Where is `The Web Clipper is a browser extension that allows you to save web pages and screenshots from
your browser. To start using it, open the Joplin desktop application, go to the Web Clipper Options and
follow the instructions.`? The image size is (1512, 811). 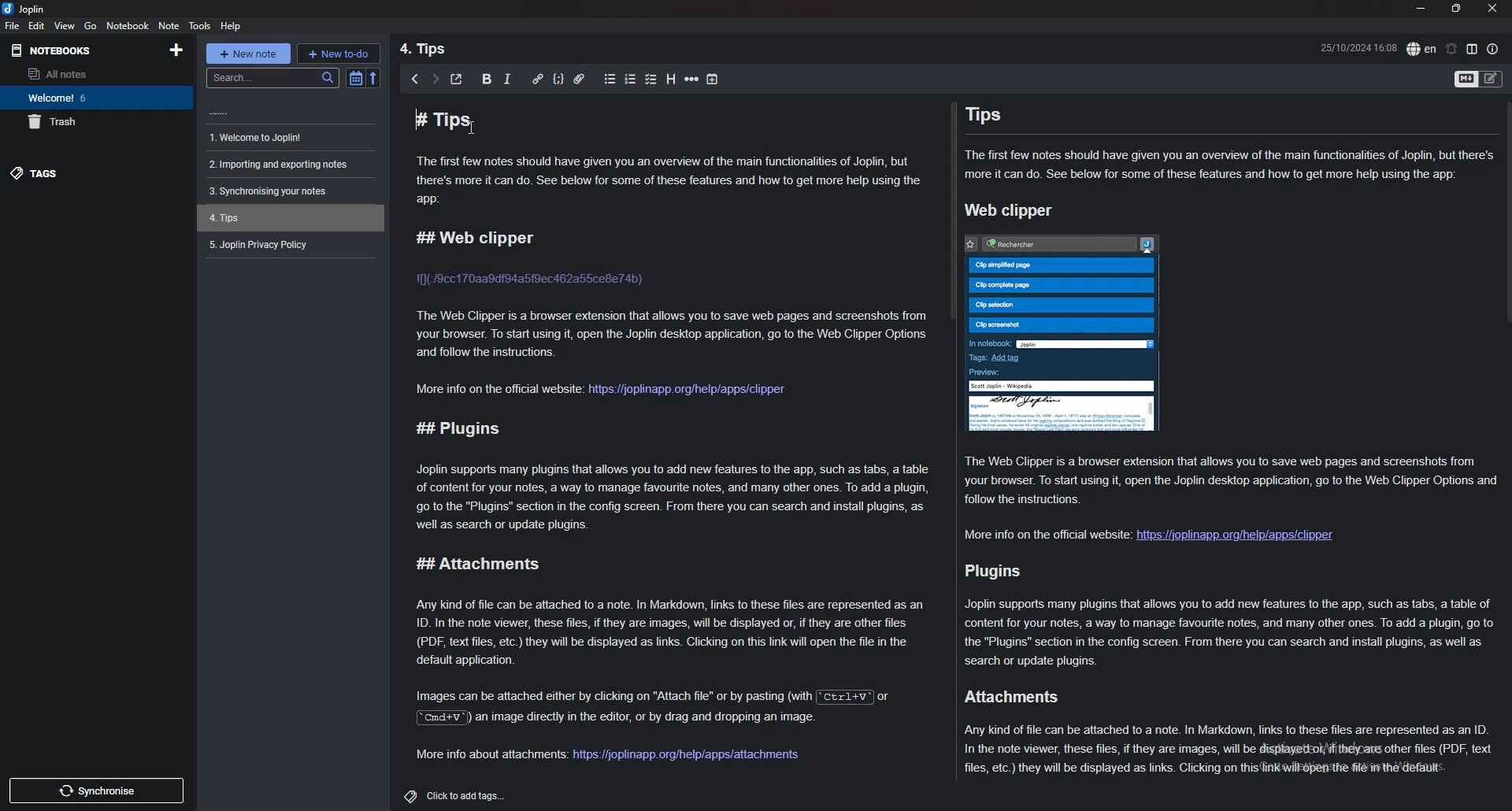 The Web Clipper is a browser extension that allows you to save web pages and screenshots from
your browser. To start using it, open the Joplin desktop application, go to the Web Clipper Options and
follow the instructions. is located at coordinates (1229, 479).